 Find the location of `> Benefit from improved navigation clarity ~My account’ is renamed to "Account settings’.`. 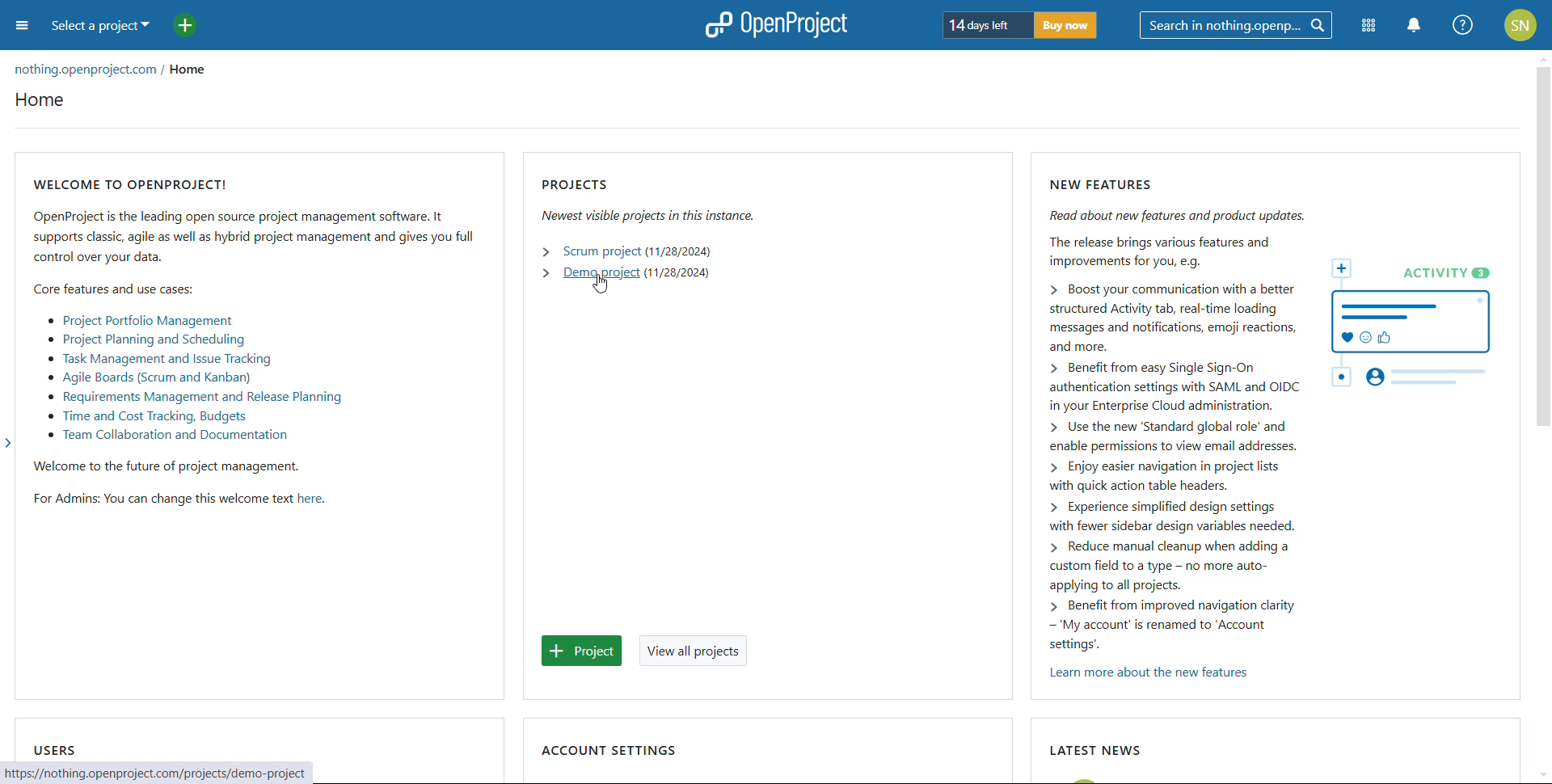

> Benefit from improved navigation clarity ~My account’ is renamed to "Account settings’. is located at coordinates (1165, 626).